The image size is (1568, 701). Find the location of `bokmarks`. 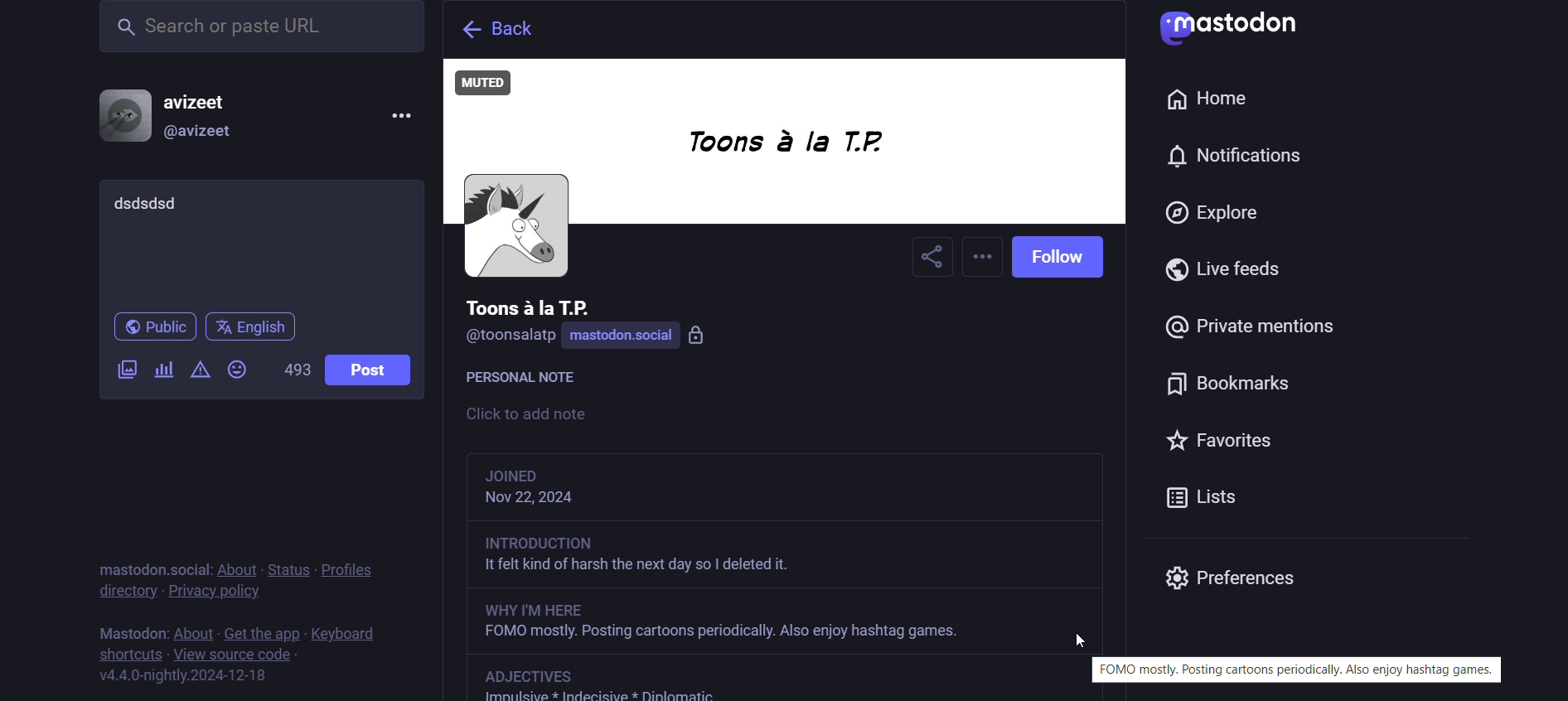

bokmarks is located at coordinates (1241, 392).